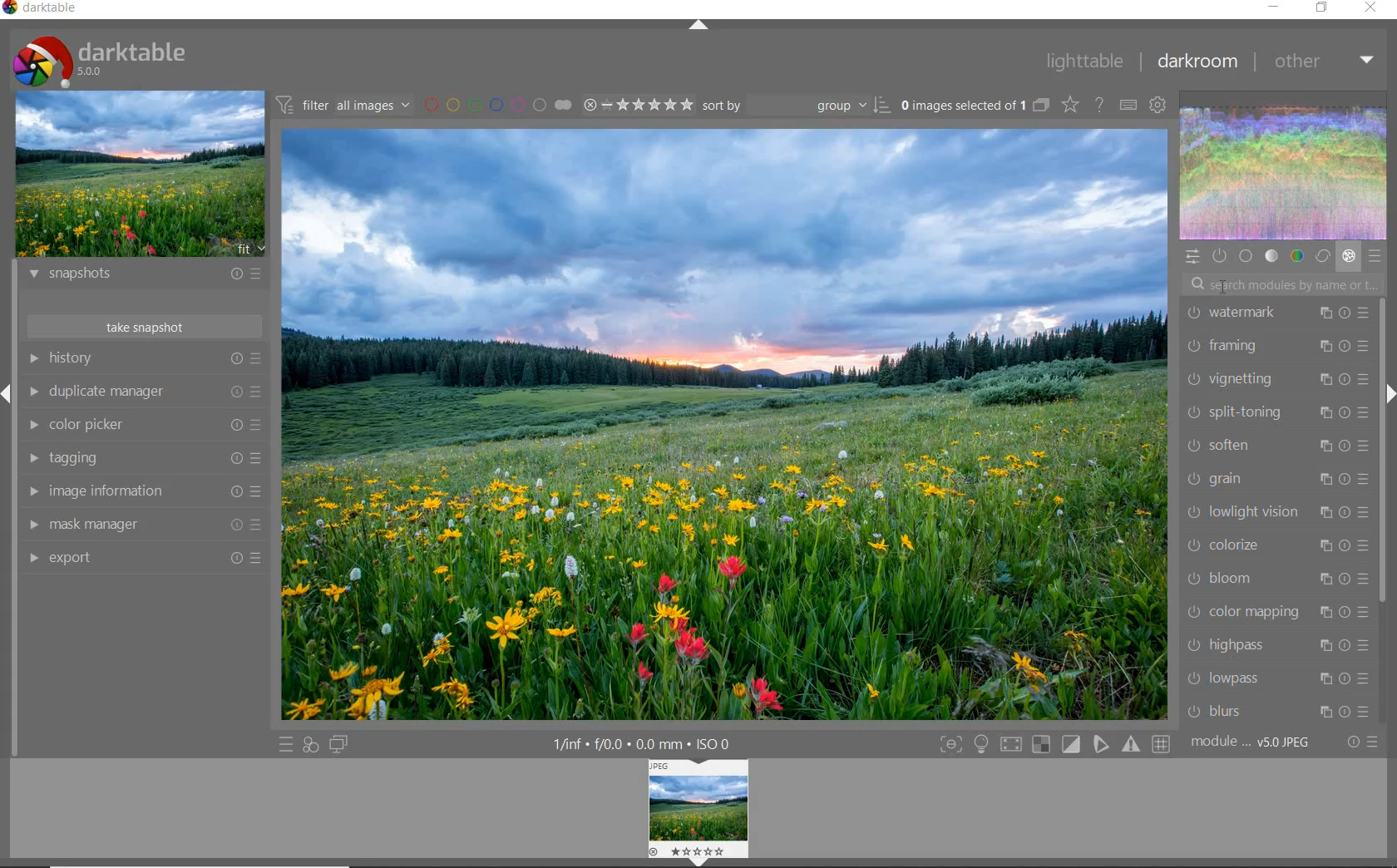 The width and height of the screenshot is (1397, 868). Describe the element at coordinates (1200, 62) in the screenshot. I see `darkroom` at that location.